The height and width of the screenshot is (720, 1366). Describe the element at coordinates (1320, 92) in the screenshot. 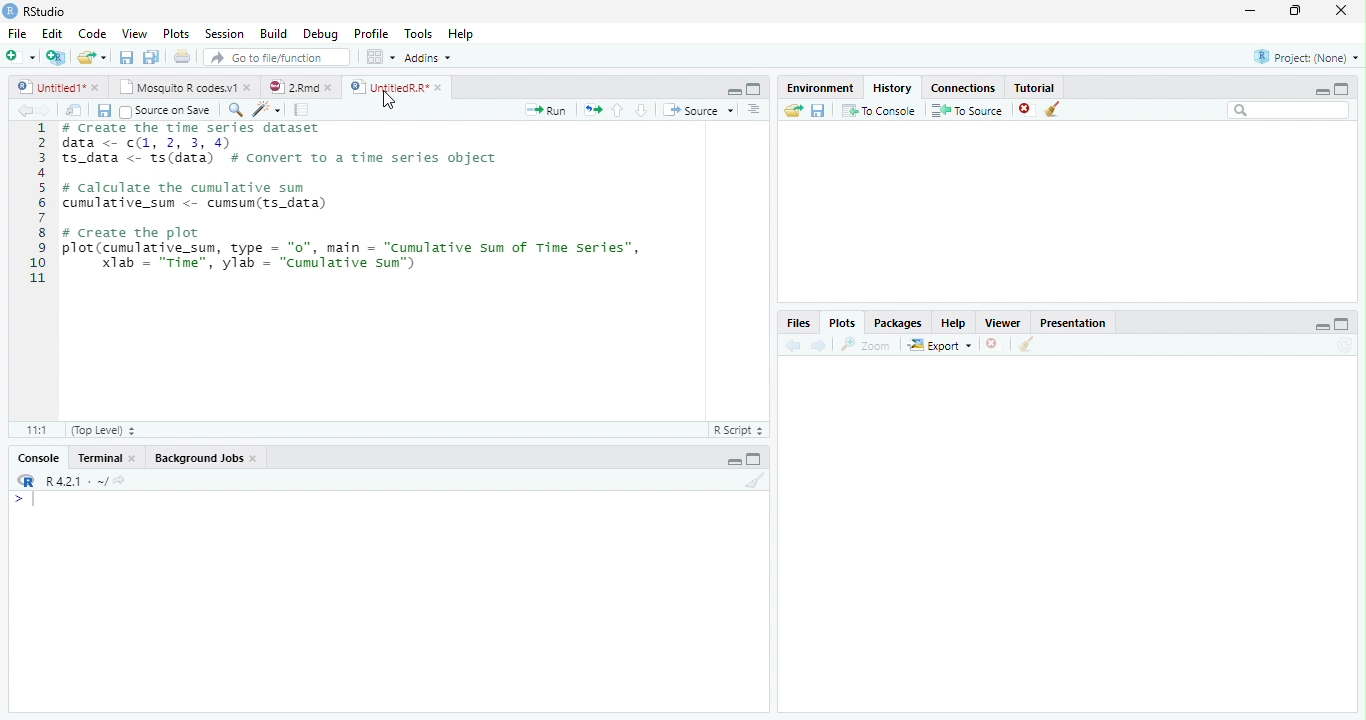

I see `Minimize` at that location.